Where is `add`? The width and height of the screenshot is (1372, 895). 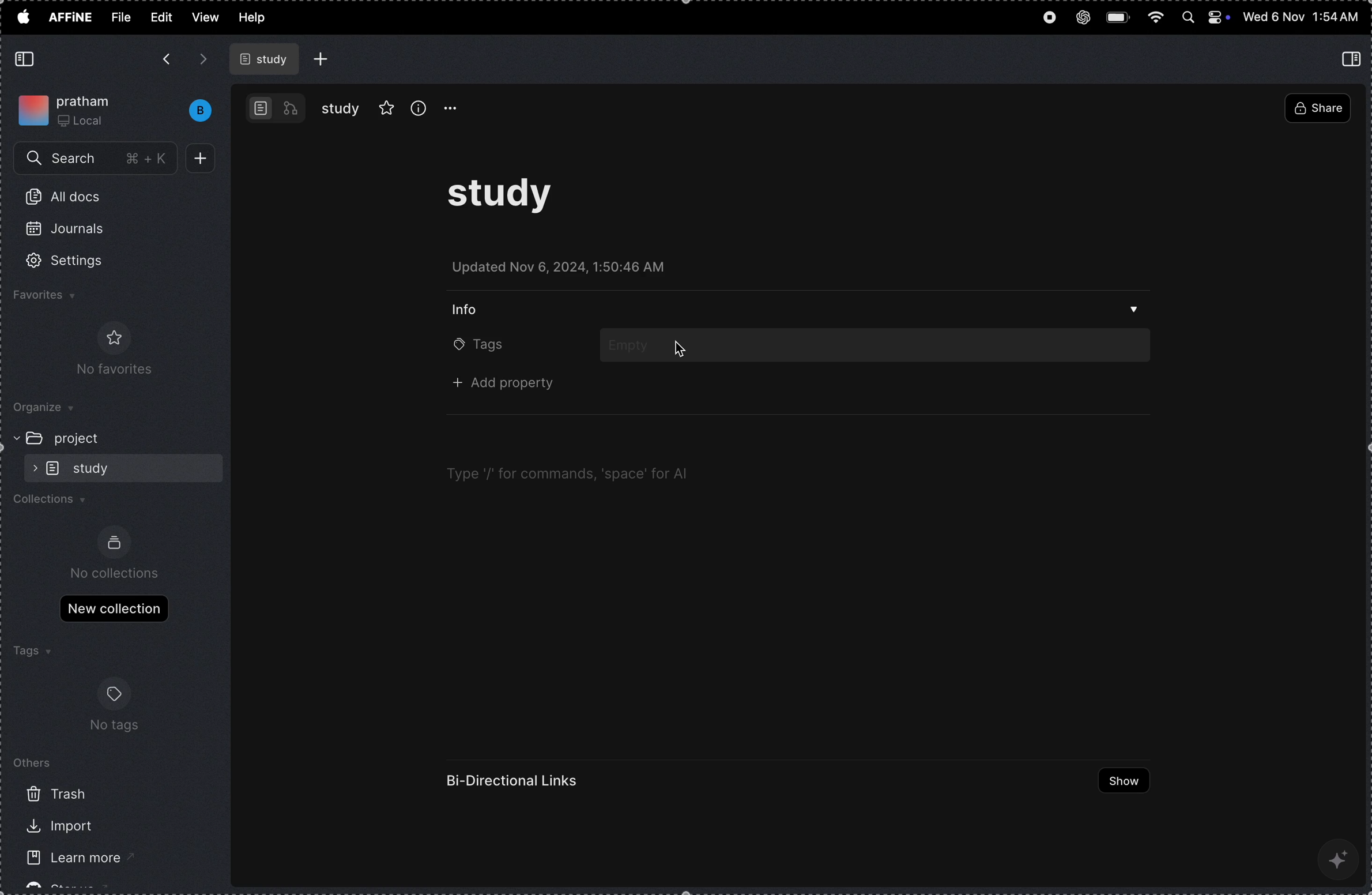
add is located at coordinates (205, 159).